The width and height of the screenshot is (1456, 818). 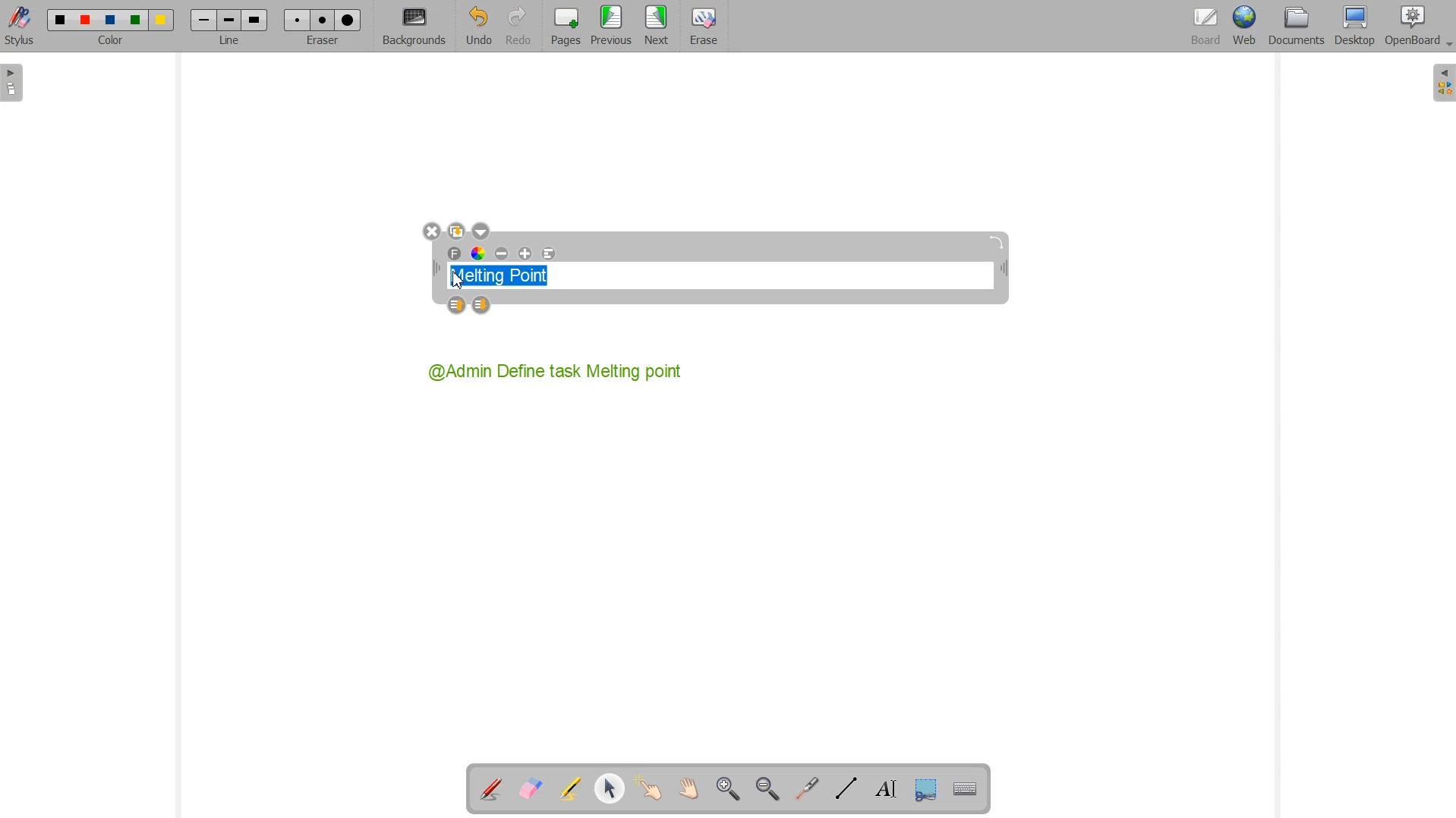 I want to click on Redo, so click(x=518, y=26).